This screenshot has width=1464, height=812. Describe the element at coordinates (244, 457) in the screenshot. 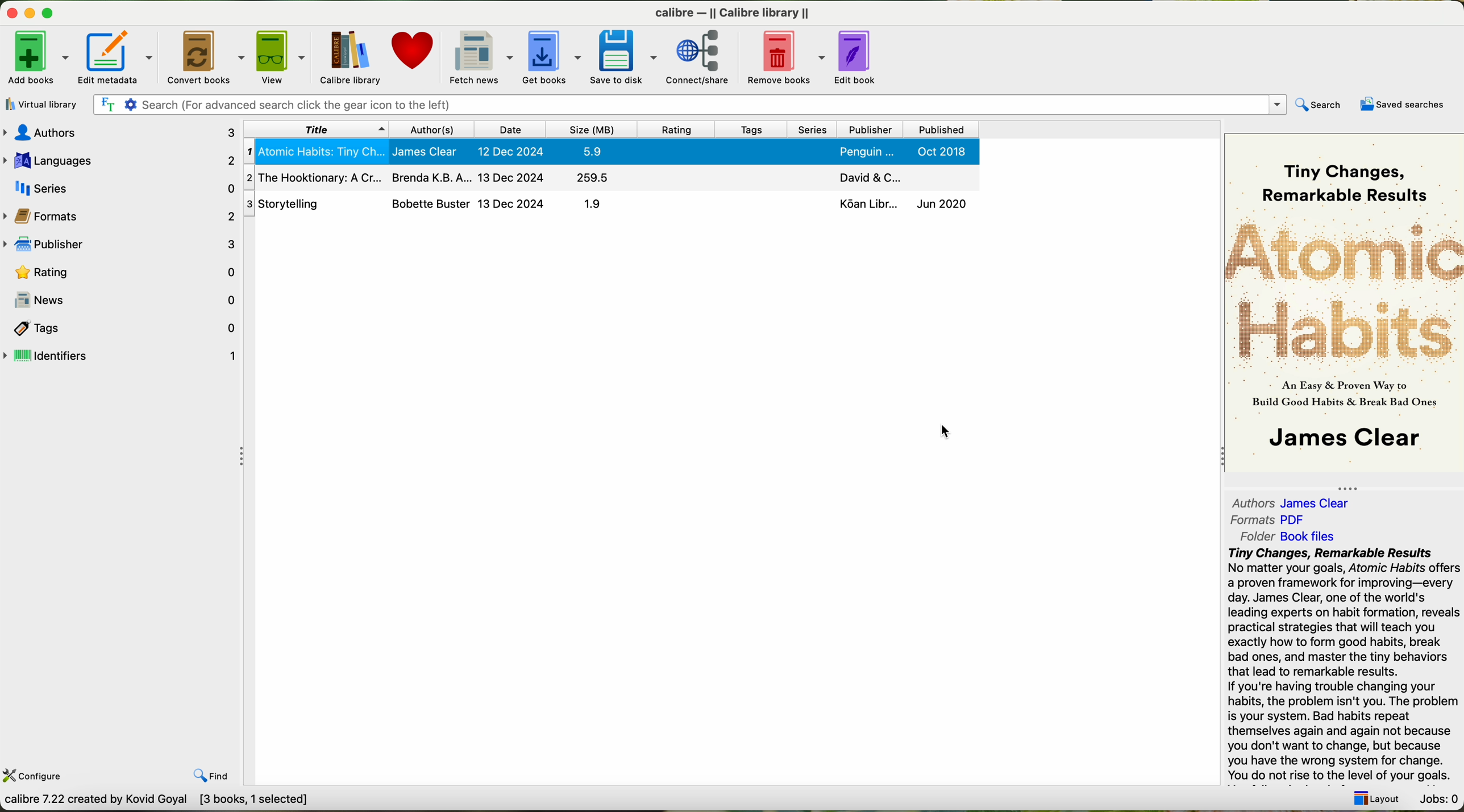

I see `Collapse` at that location.